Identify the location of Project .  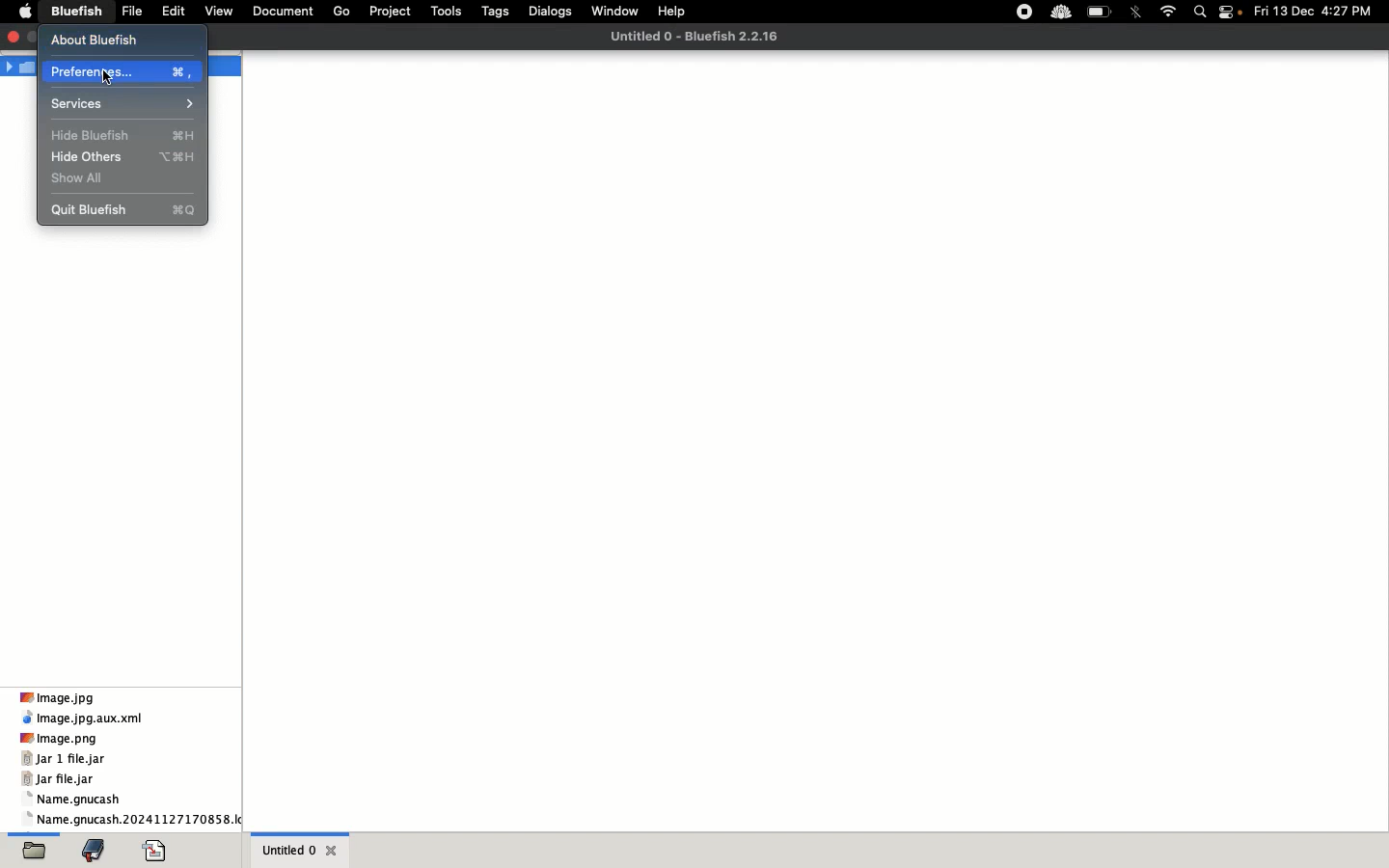
(392, 13).